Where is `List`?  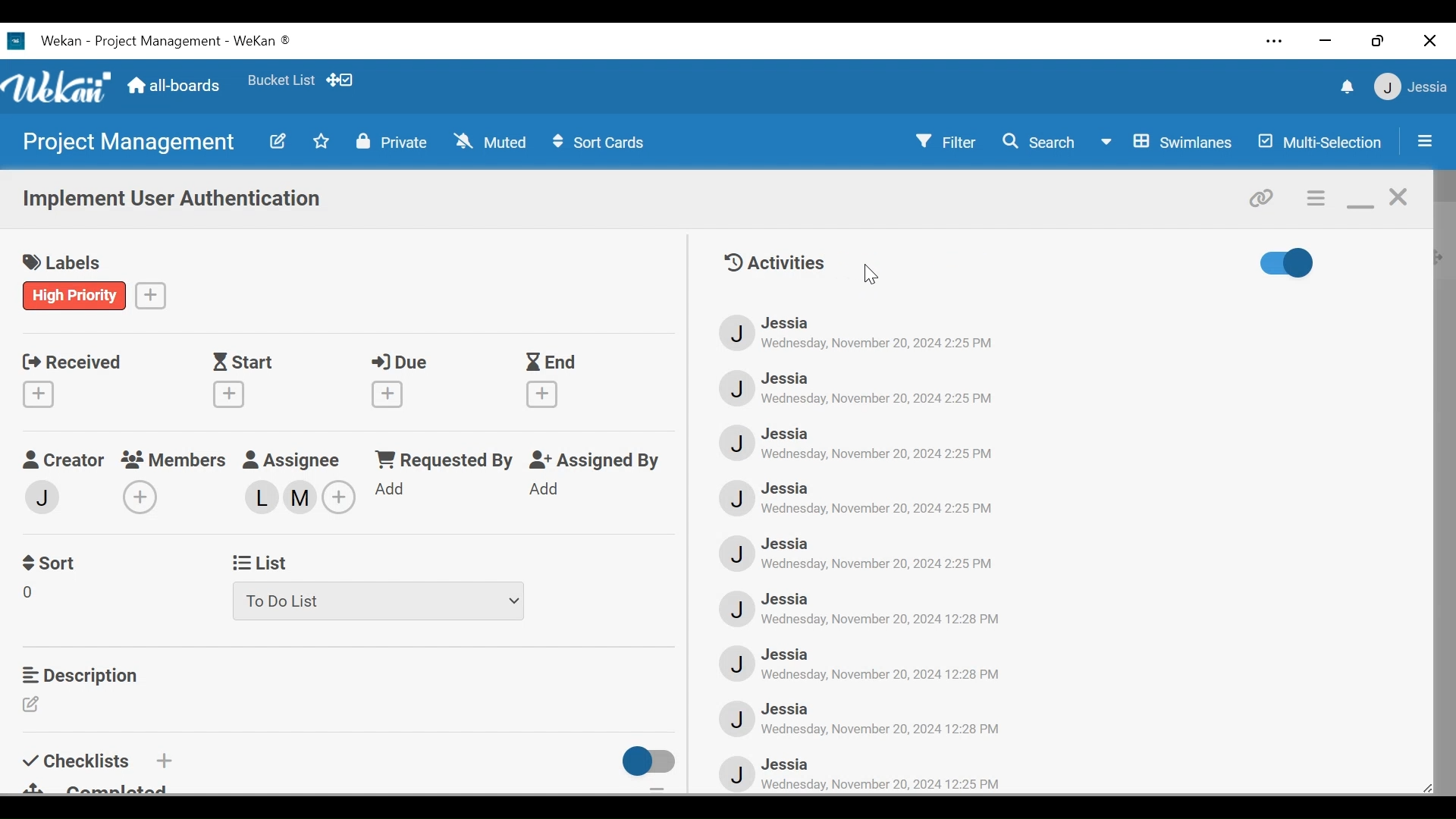 List is located at coordinates (265, 562).